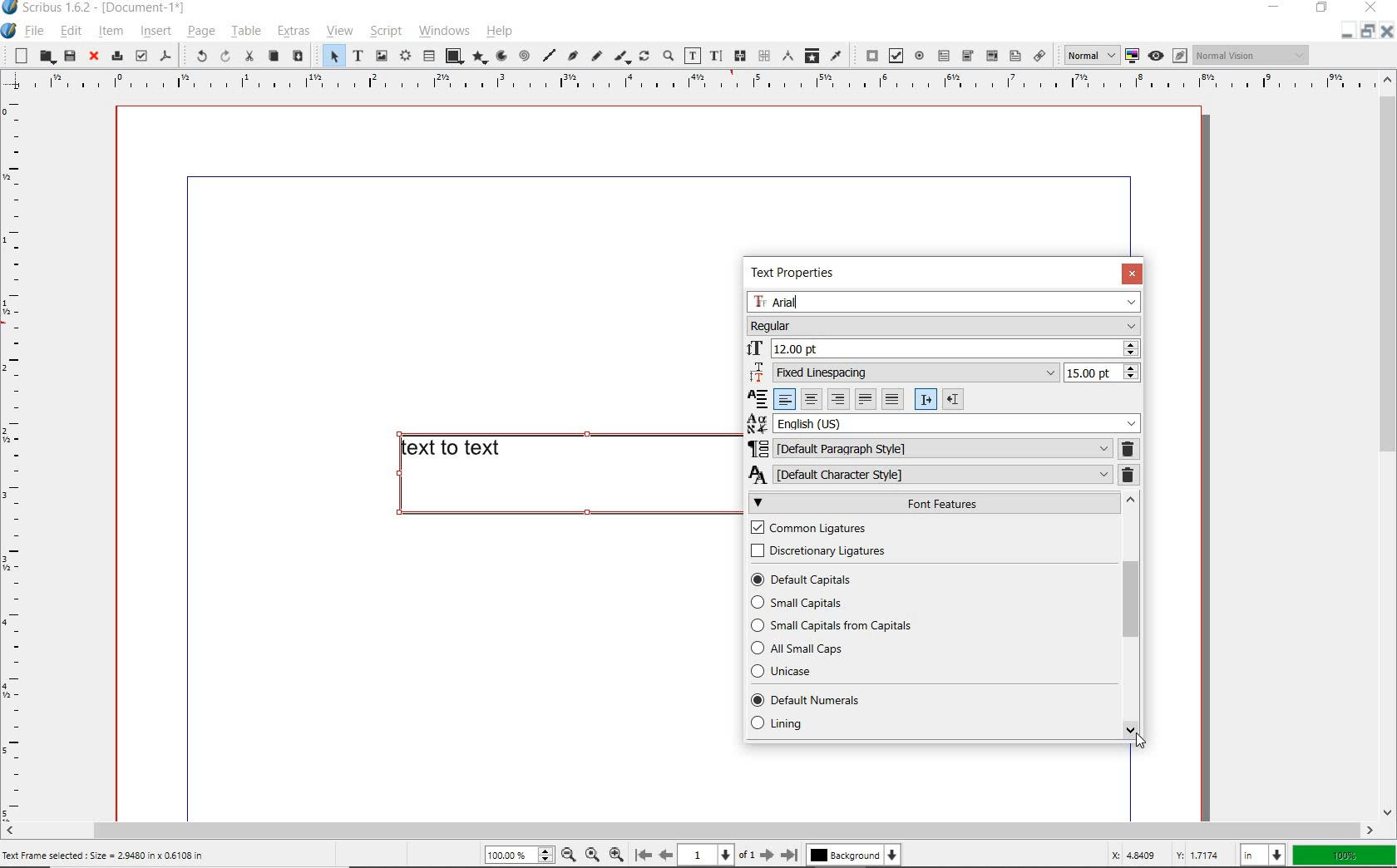  What do you see at coordinates (967, 56) in the screenshot?
I see `pdf combo box` at bounding box center [967, 56].